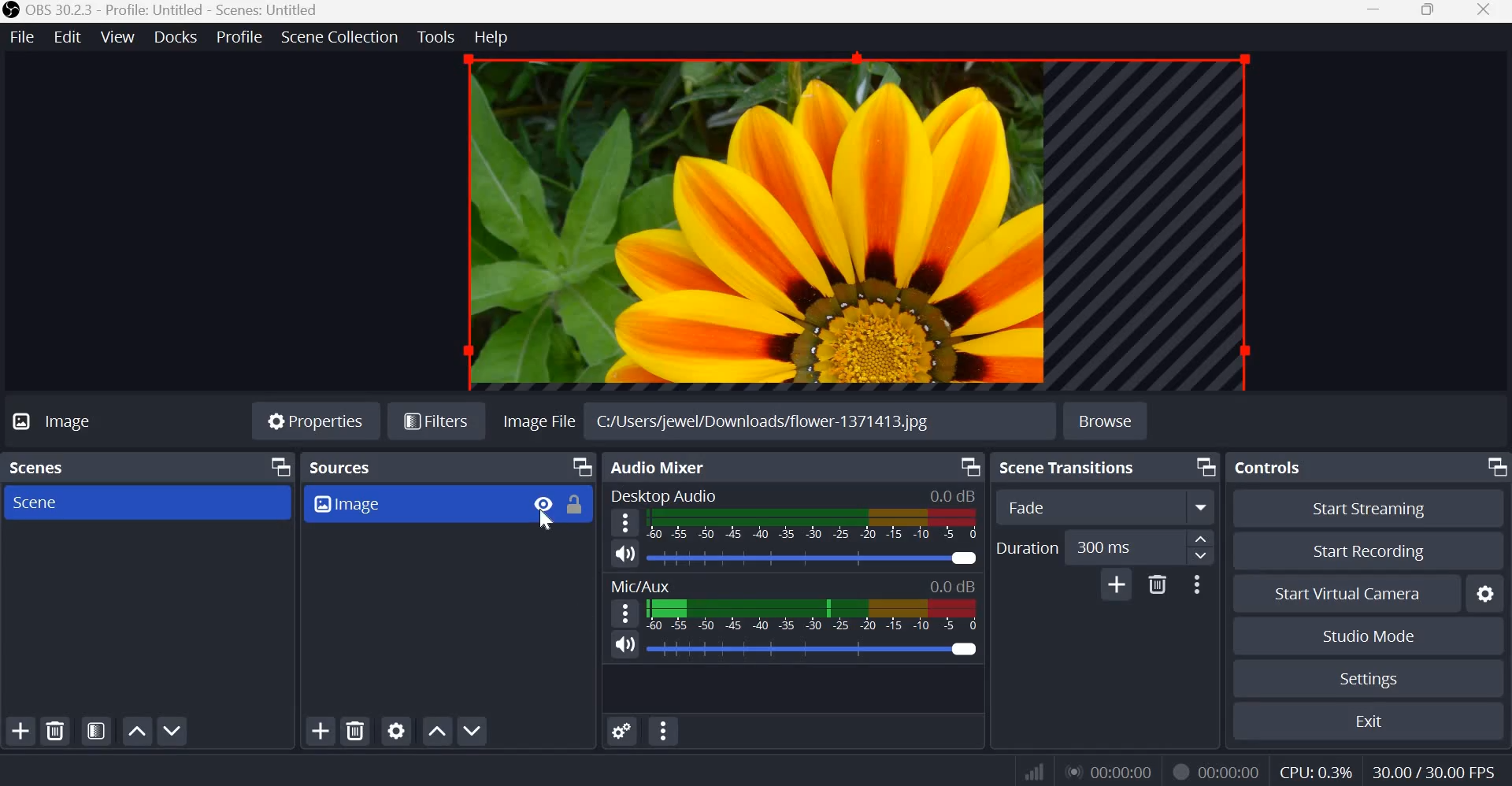 The image size is (1512, 786). Describe the element at coordinates (68, 35) in the screenshot. I see `Edit` at that location.